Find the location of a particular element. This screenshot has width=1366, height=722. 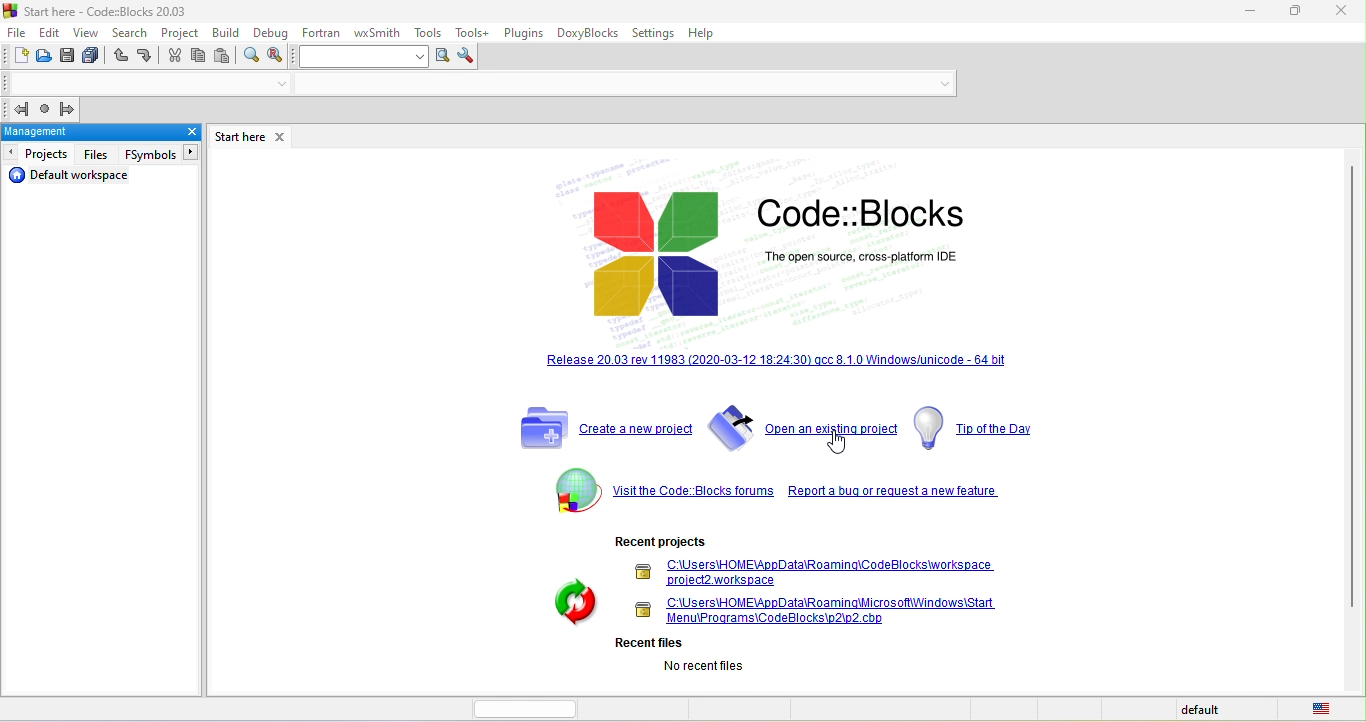

recent files is located at coordinates (681, 655).